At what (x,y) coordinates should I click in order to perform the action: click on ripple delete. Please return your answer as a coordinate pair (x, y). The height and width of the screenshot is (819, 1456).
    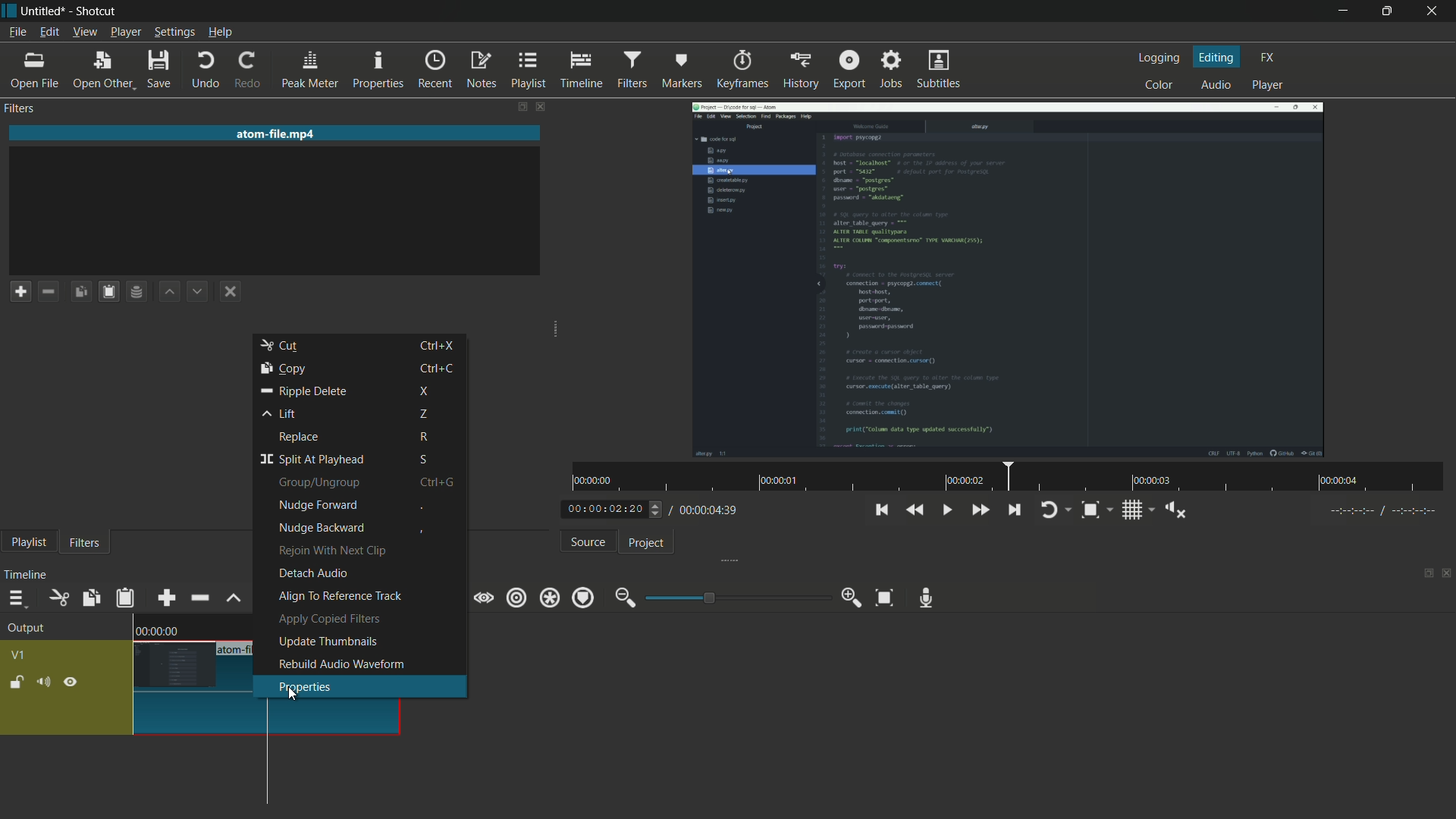
    Looking at the image, I should click on (199, 598).